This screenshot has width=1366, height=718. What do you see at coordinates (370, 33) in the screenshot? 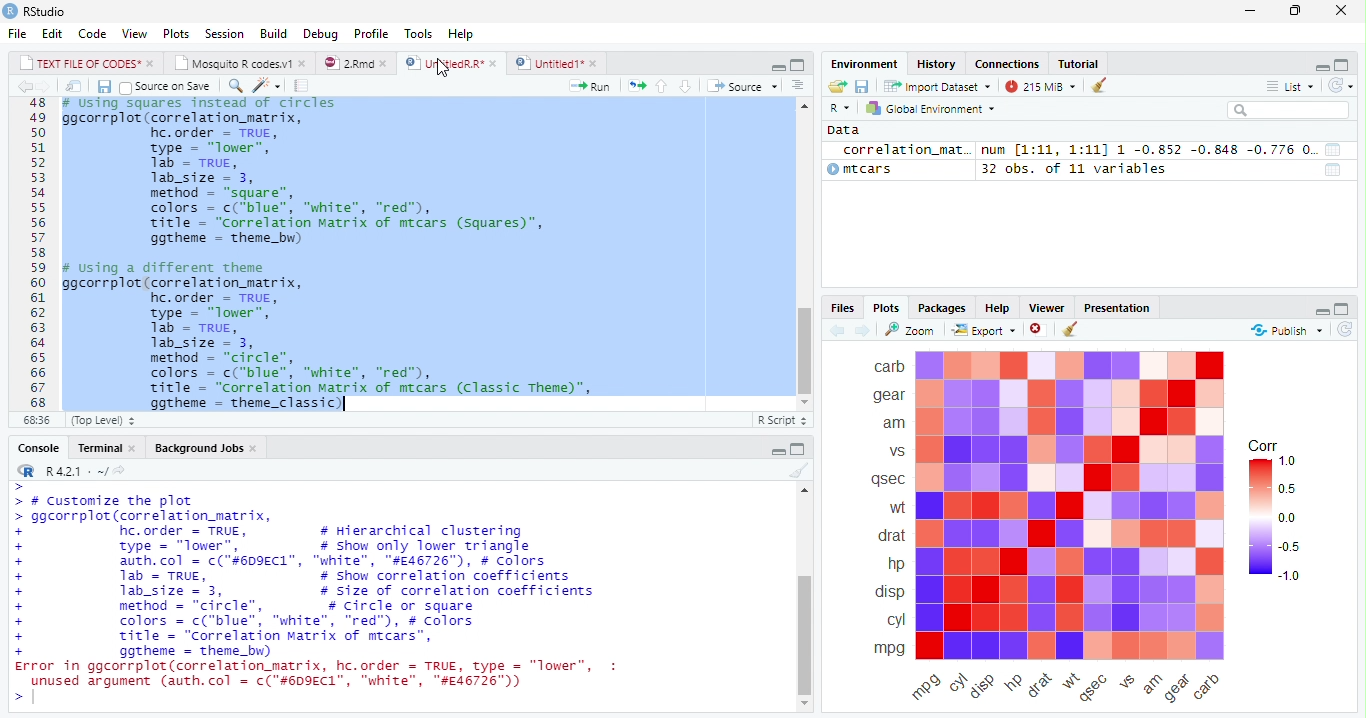
I see `Profile` at bounding box center [370, 33].